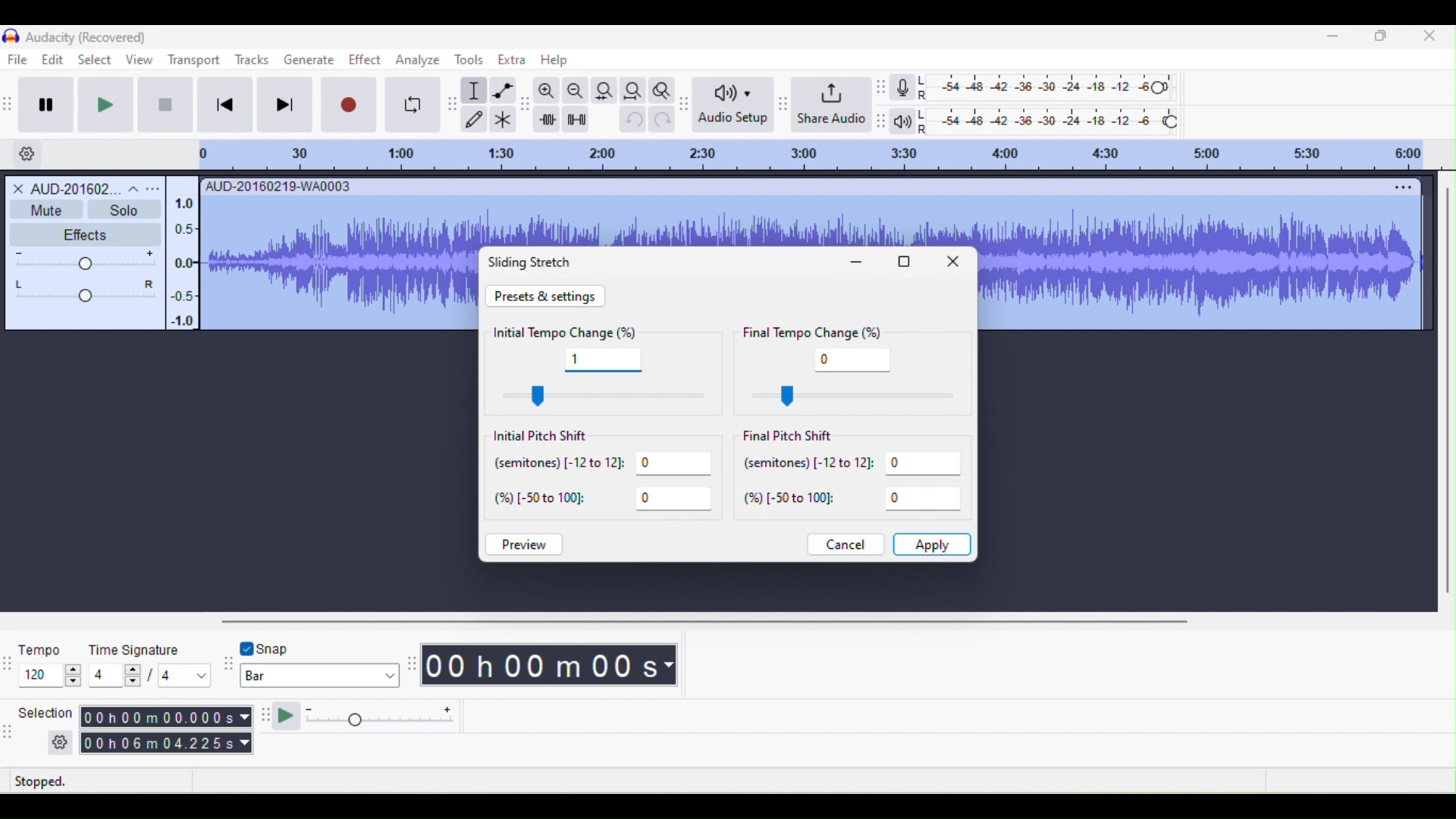  I want to click on multi tool, so click(503, 119).